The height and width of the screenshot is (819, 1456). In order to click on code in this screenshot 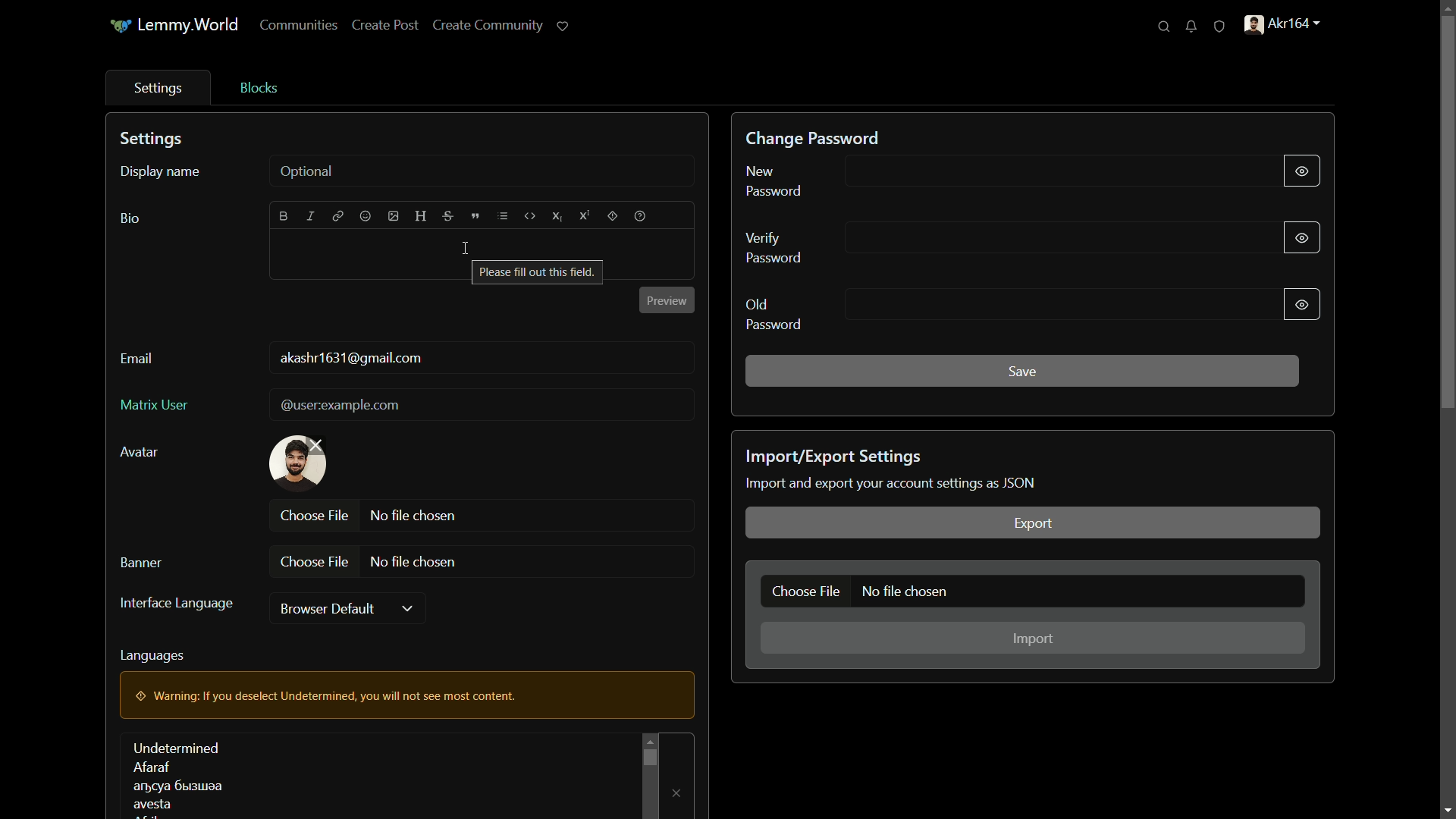, I will do `click(529, 217)`.